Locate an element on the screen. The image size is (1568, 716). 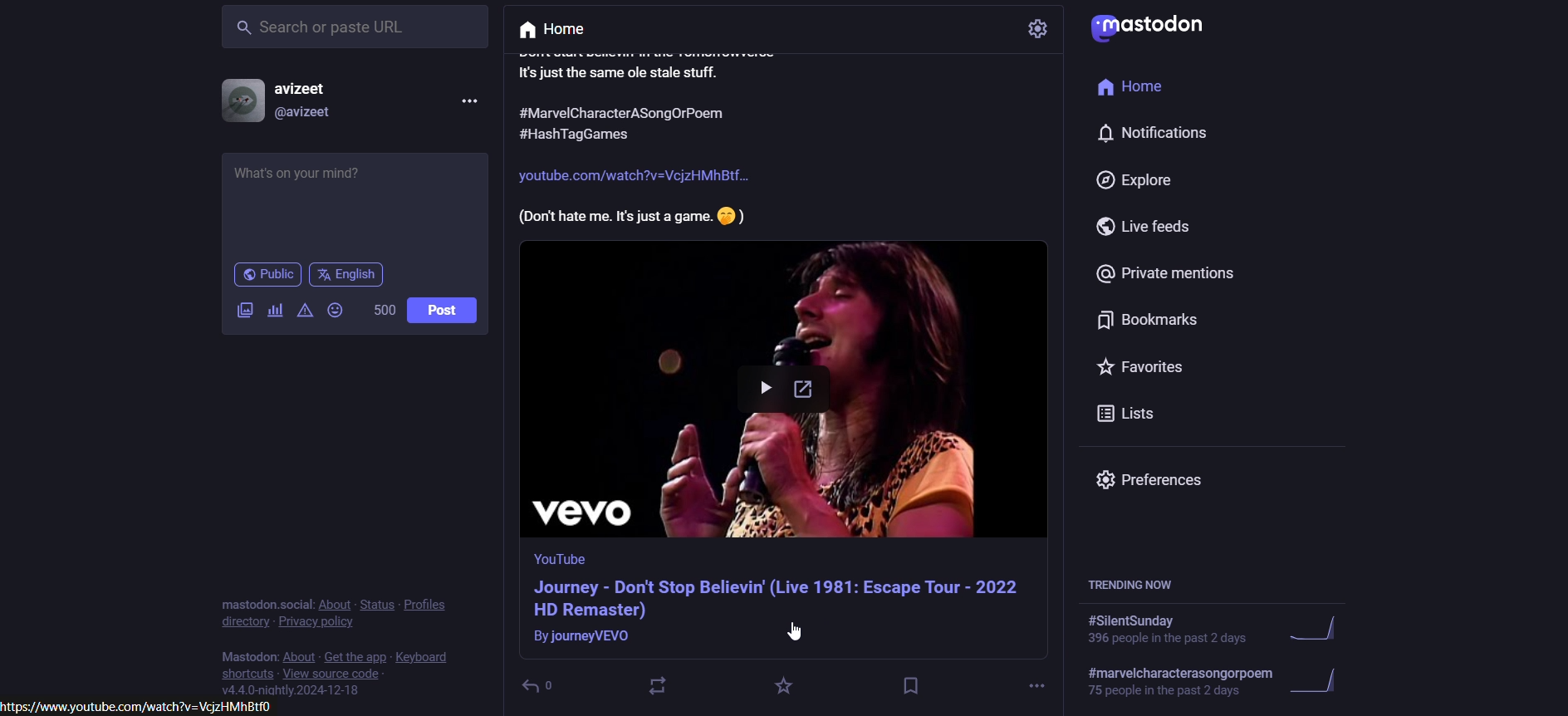
bookmarks is located at coordinates (1162, 319).